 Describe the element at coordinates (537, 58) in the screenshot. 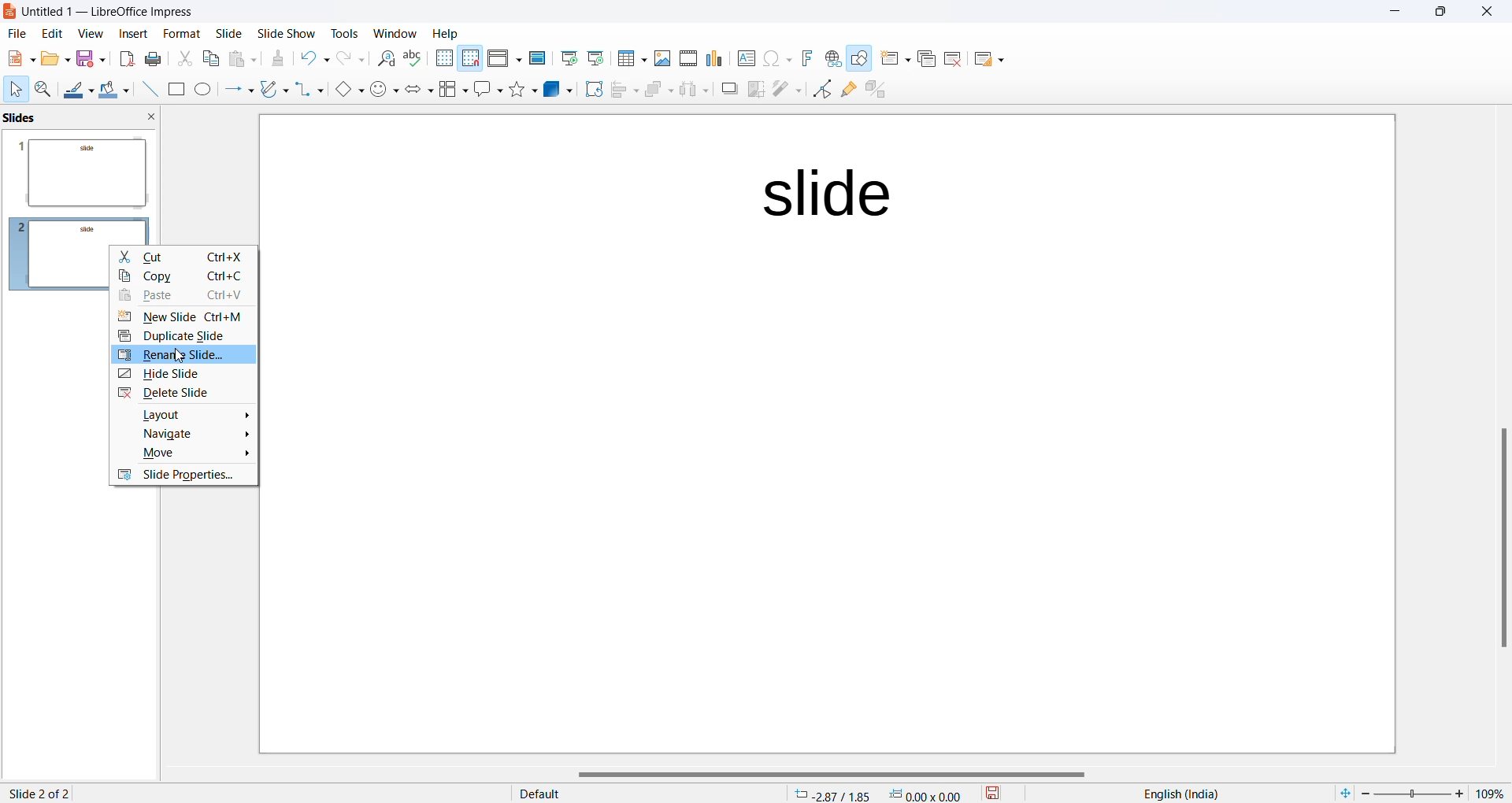

I see `Master slide` at that location.